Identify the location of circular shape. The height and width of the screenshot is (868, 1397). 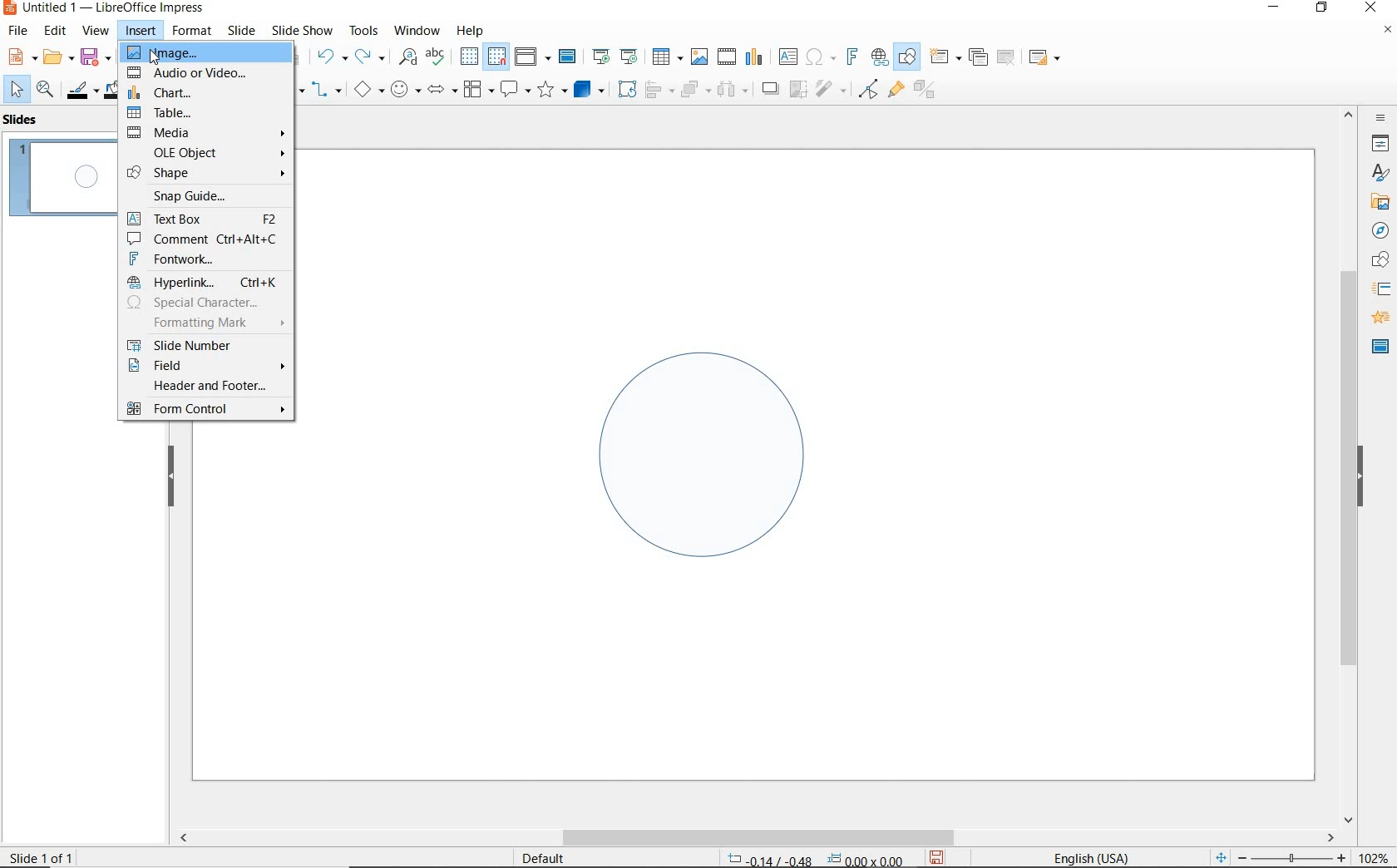
(700, 450).